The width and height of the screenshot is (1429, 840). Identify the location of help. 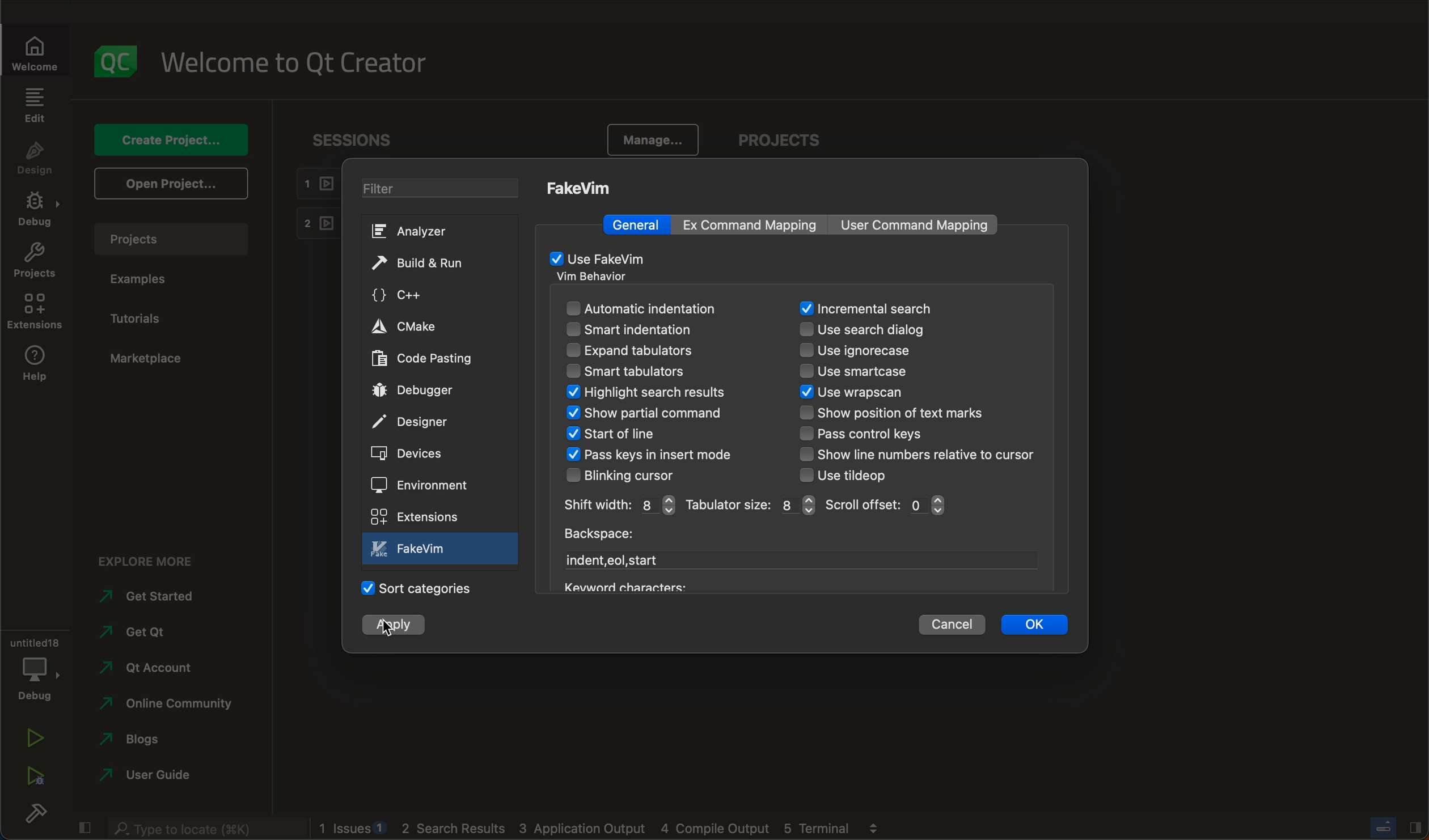
(37, 367).